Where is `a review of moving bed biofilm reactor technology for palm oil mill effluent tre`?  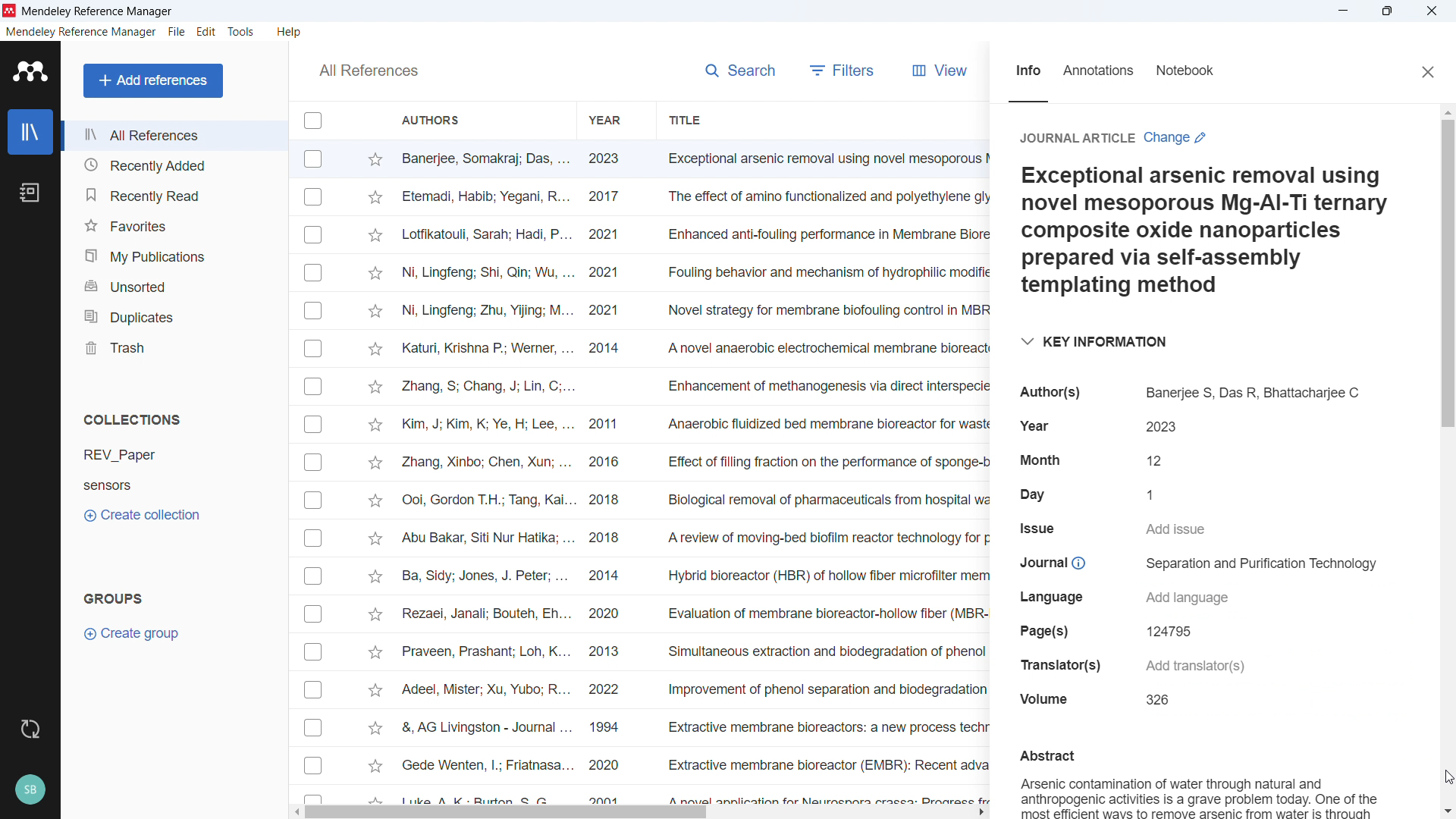
a review of moving bed biofilm reactor technology for palm oil mill effluent tre is located at coordinates (825, 541).